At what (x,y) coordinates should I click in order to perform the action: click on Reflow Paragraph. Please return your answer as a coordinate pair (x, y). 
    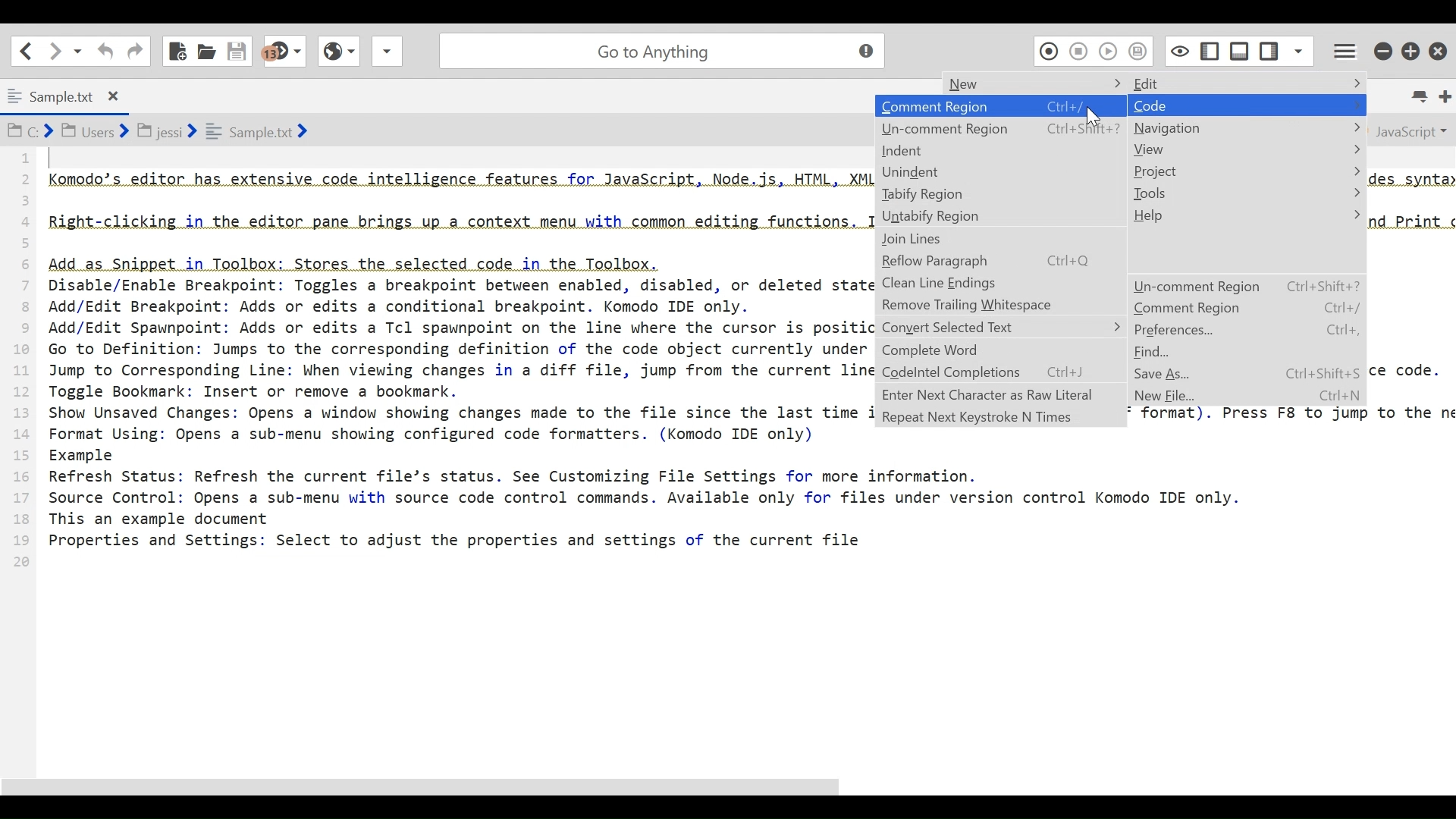
    Looking at the image, I should click on (999, 262).